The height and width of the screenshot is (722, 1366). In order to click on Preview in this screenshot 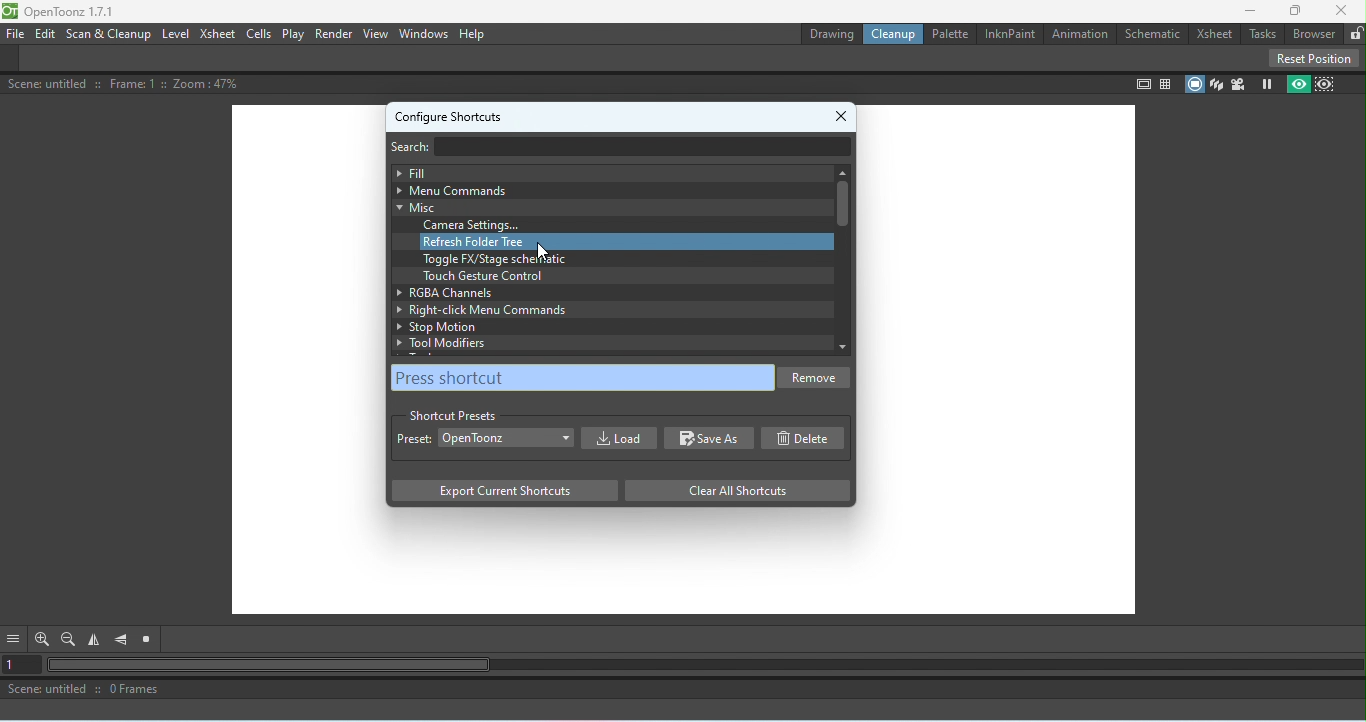, I will do `click(1296, 85)`.